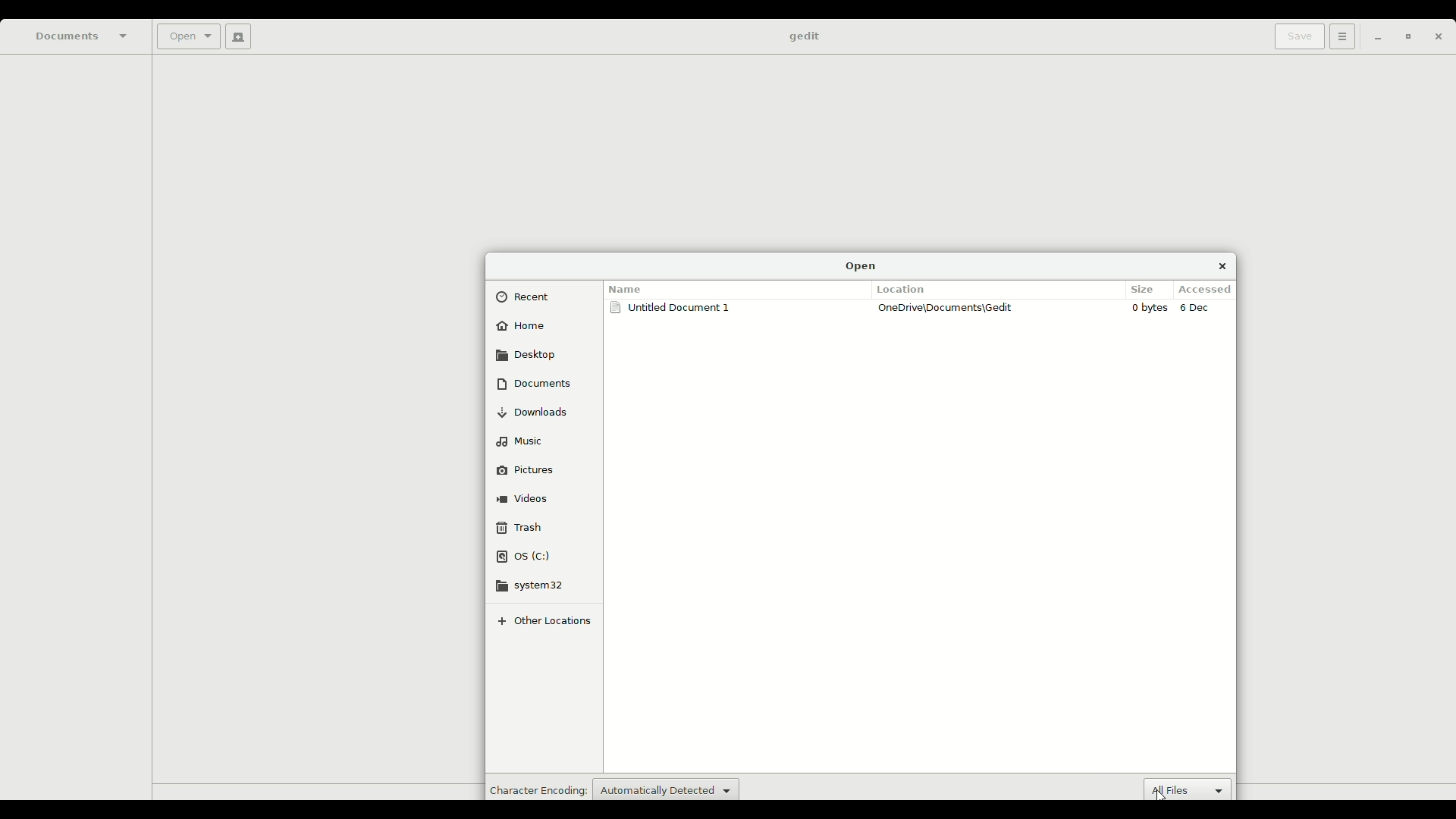 The image size is (1456, 819). What do you see at coordinates (949, 308) in the screenshot?
I see `OneDrive/Documents/Gedit` at bounding box center [949, 308].